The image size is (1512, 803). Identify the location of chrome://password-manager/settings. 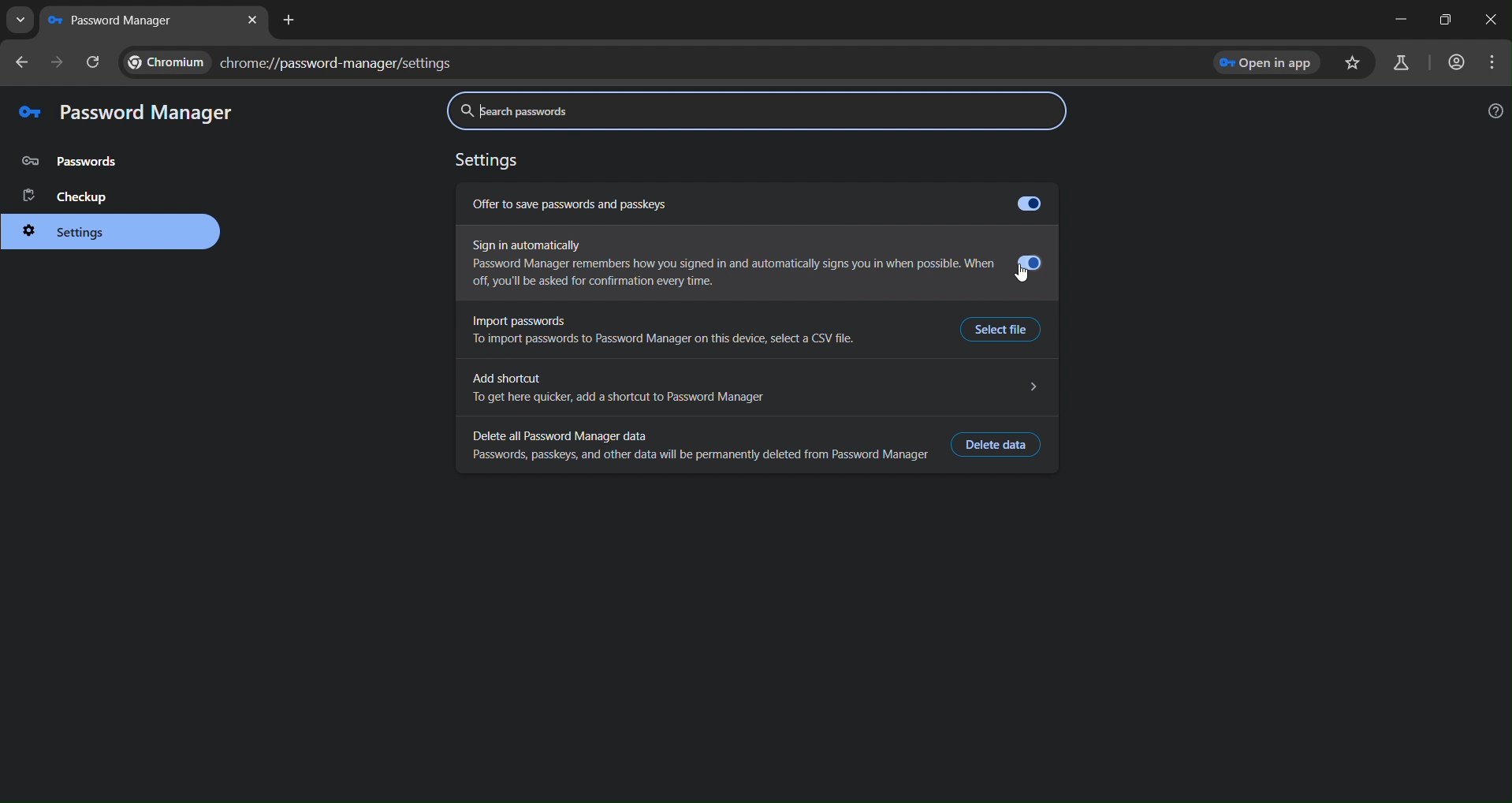
(655, 63).